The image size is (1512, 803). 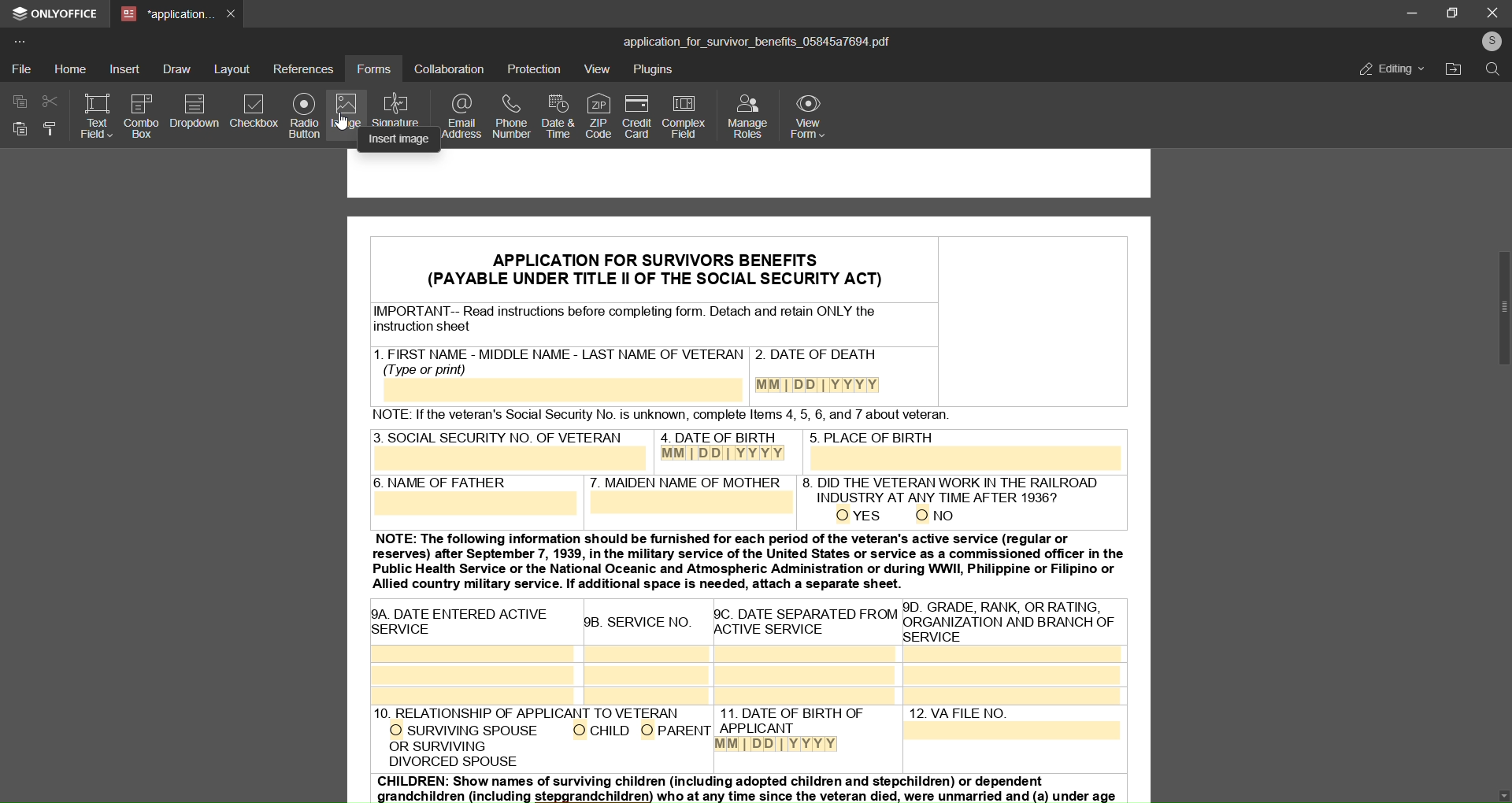 What do you see at coordinates (48, 131) in the screenshot?
I see `format` at bounding box center [48, 131].